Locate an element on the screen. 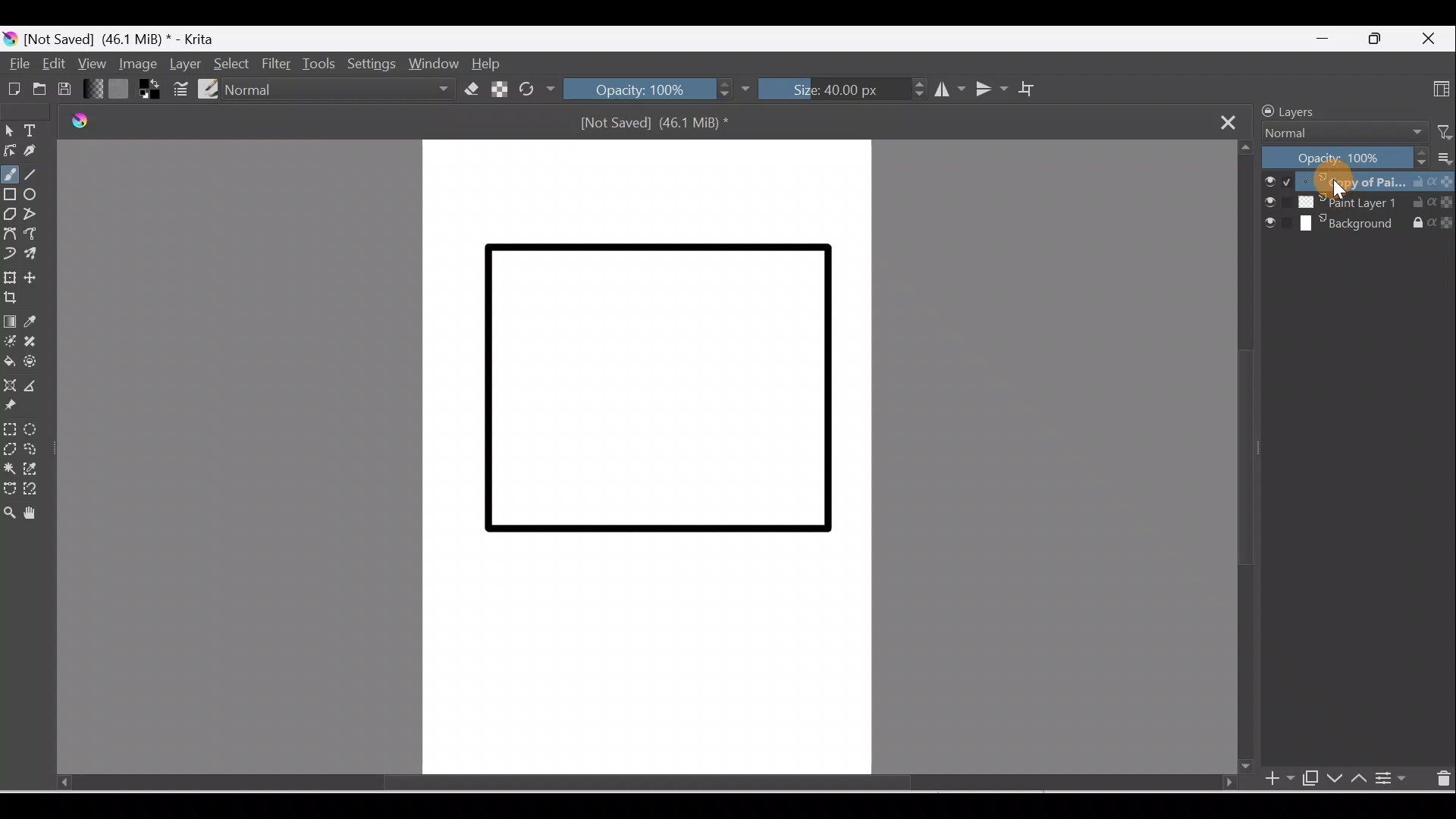  Wrap around mode is located at coordinates (1034, 89).